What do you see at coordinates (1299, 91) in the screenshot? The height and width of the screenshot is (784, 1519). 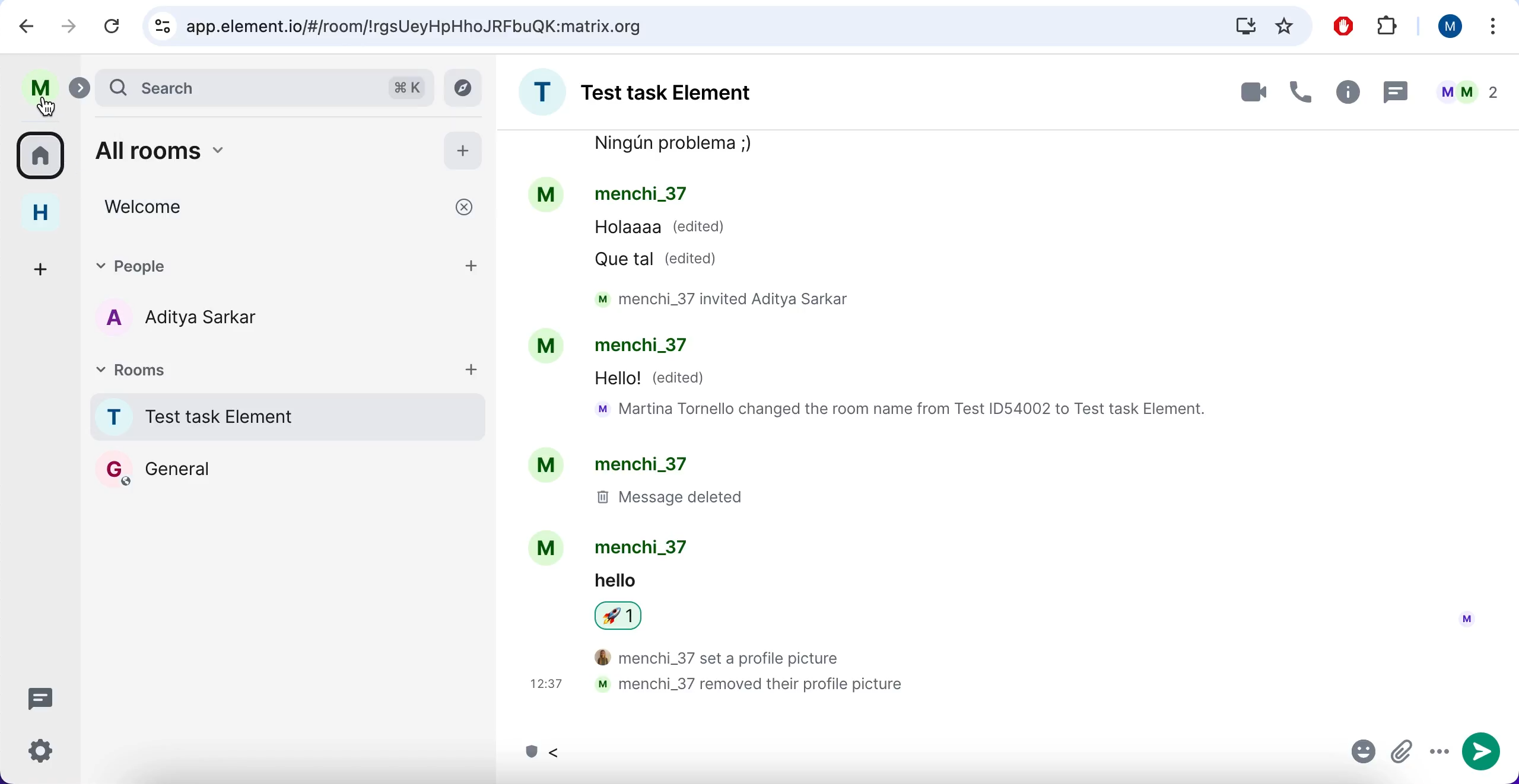 I see `voice call` at bounding box center [1299, 91].